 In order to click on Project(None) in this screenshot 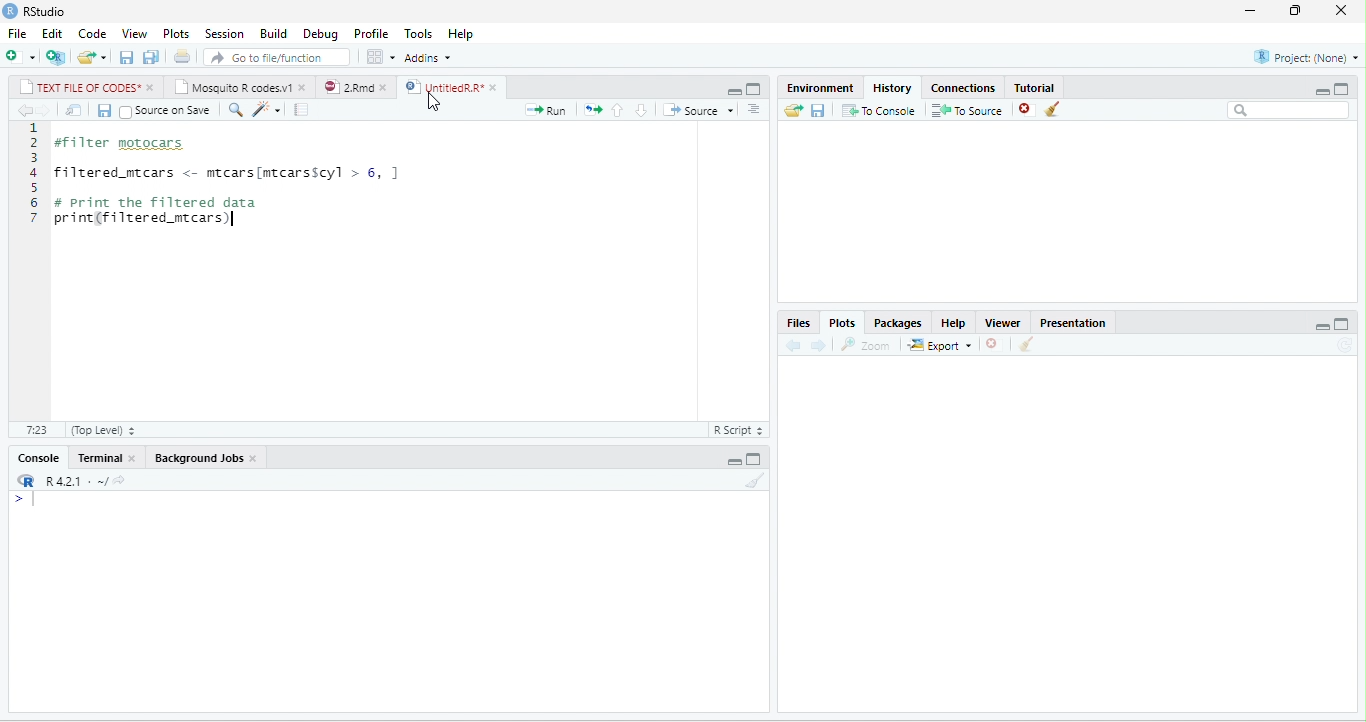, I will do `click(1307, 57)`.